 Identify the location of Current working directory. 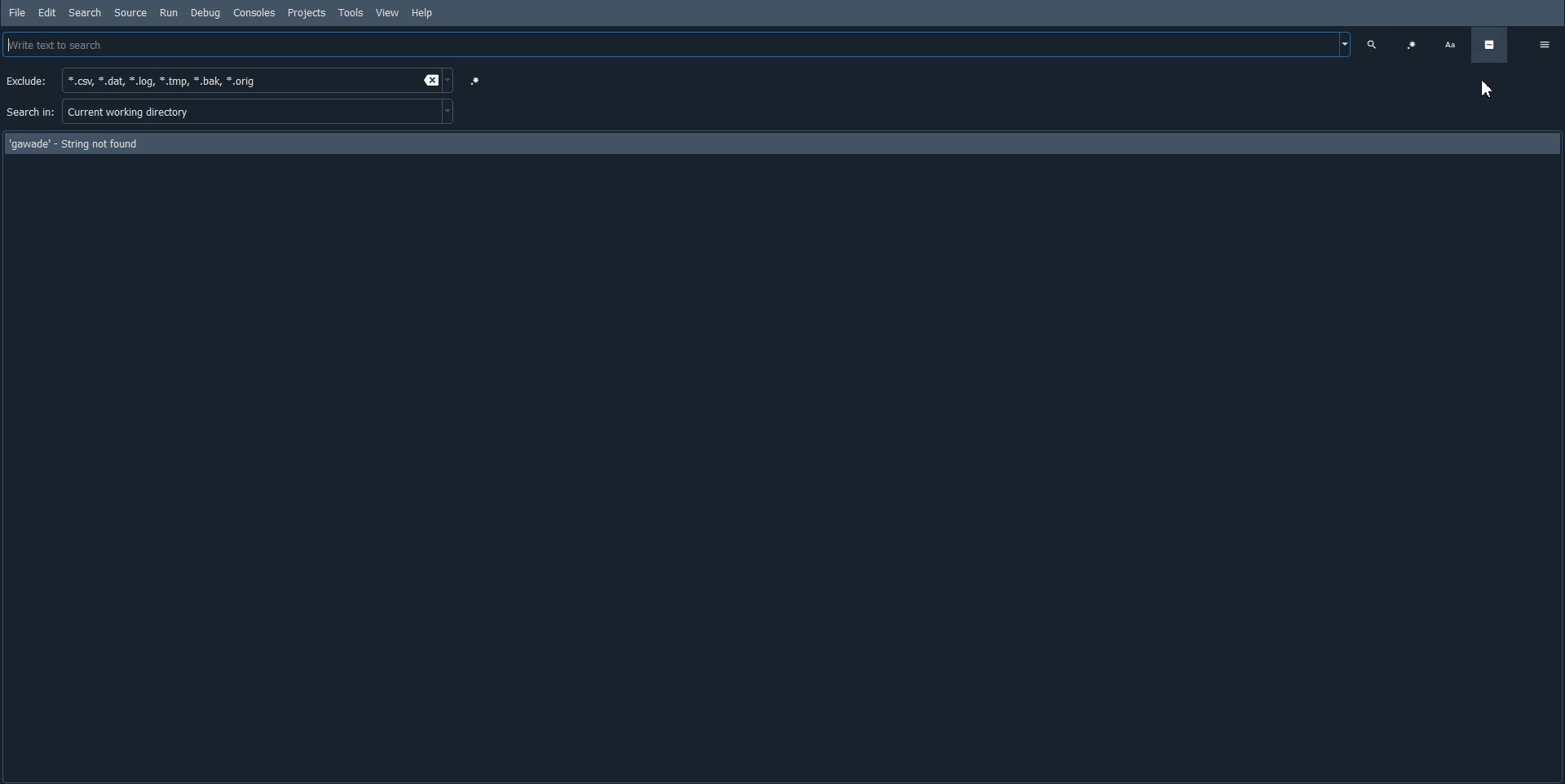
(258, 113).